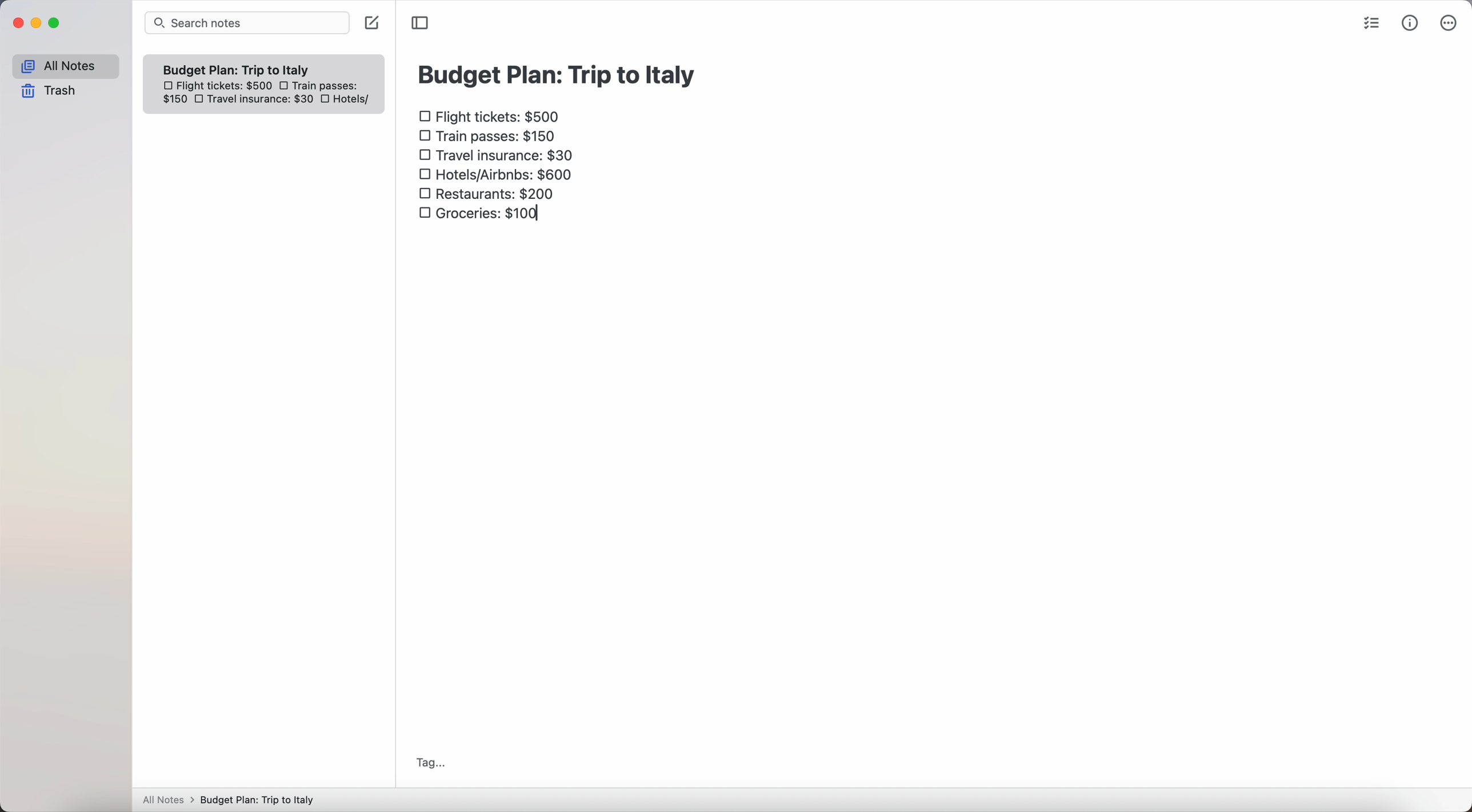 This screenshot has width=1472, height=812. What do you see at coordinates (234, 799) in the screenshot?
I see `All notes > Budget Plan: Trip to Italy` at bounding box center [234, 799].